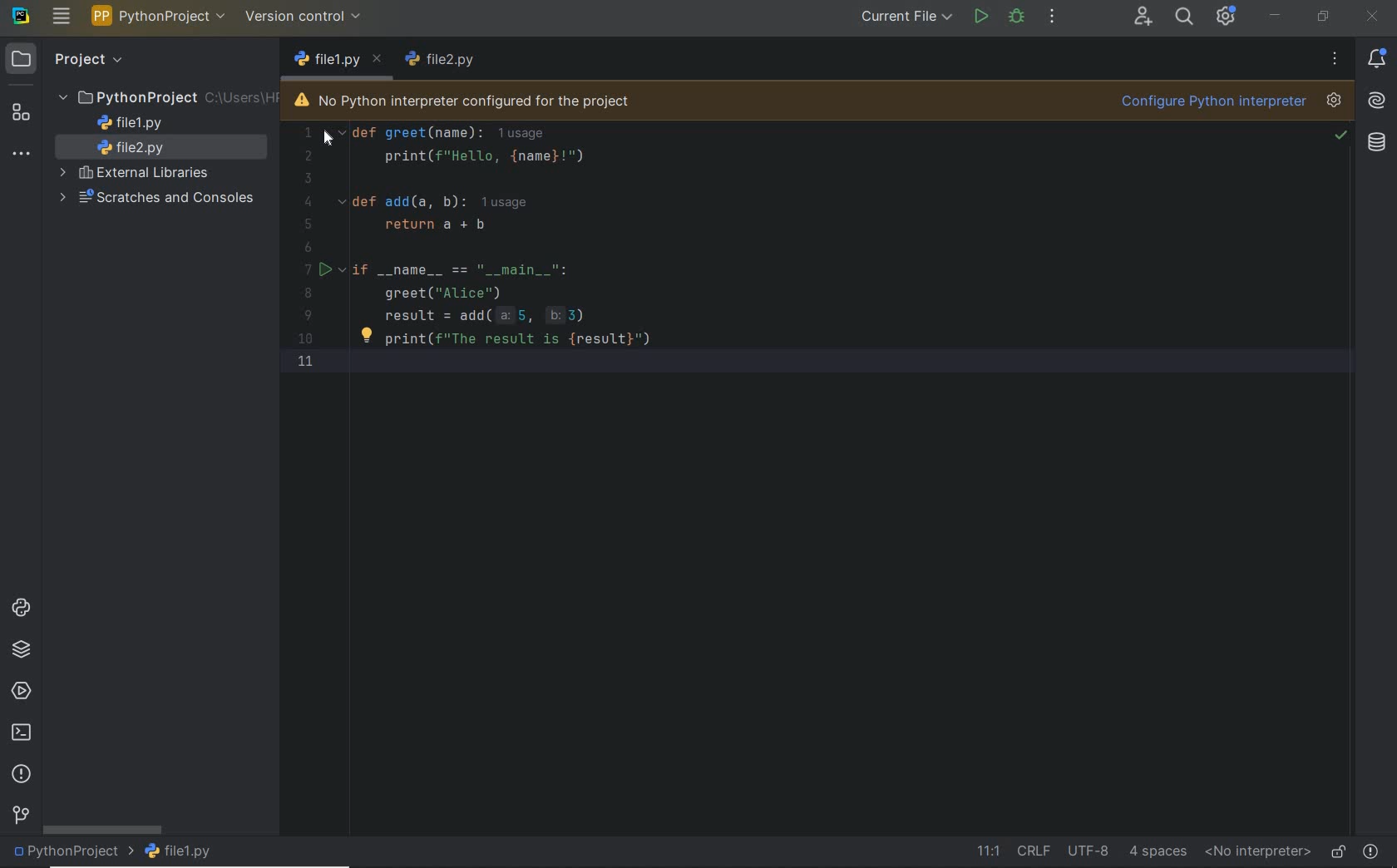  What do you see at coordinates (1341, 137) in the screenshot?
I see `no problem` at bounding box center [1341, 137].